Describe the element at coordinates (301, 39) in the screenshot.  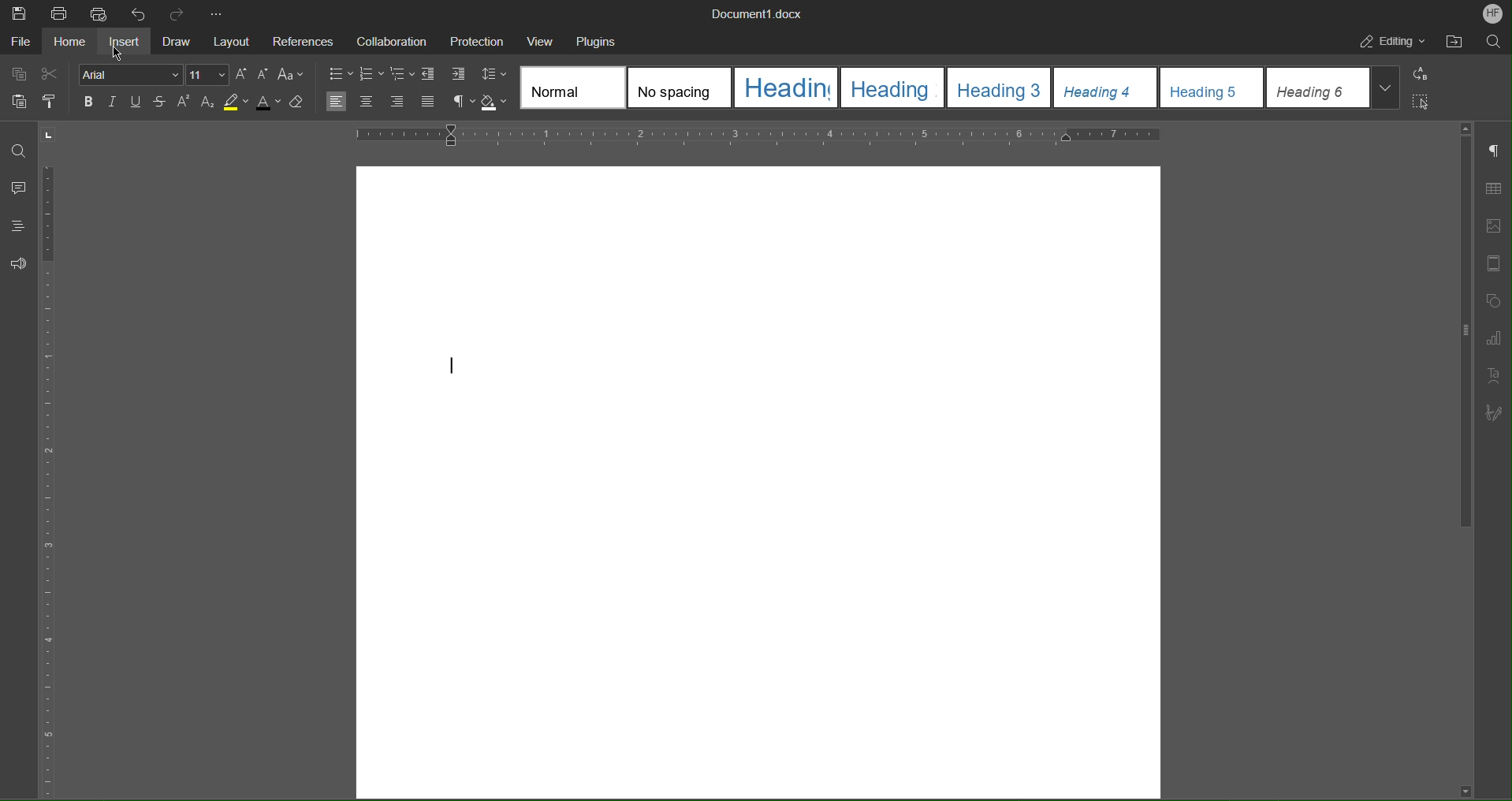
I see `References` at that location.